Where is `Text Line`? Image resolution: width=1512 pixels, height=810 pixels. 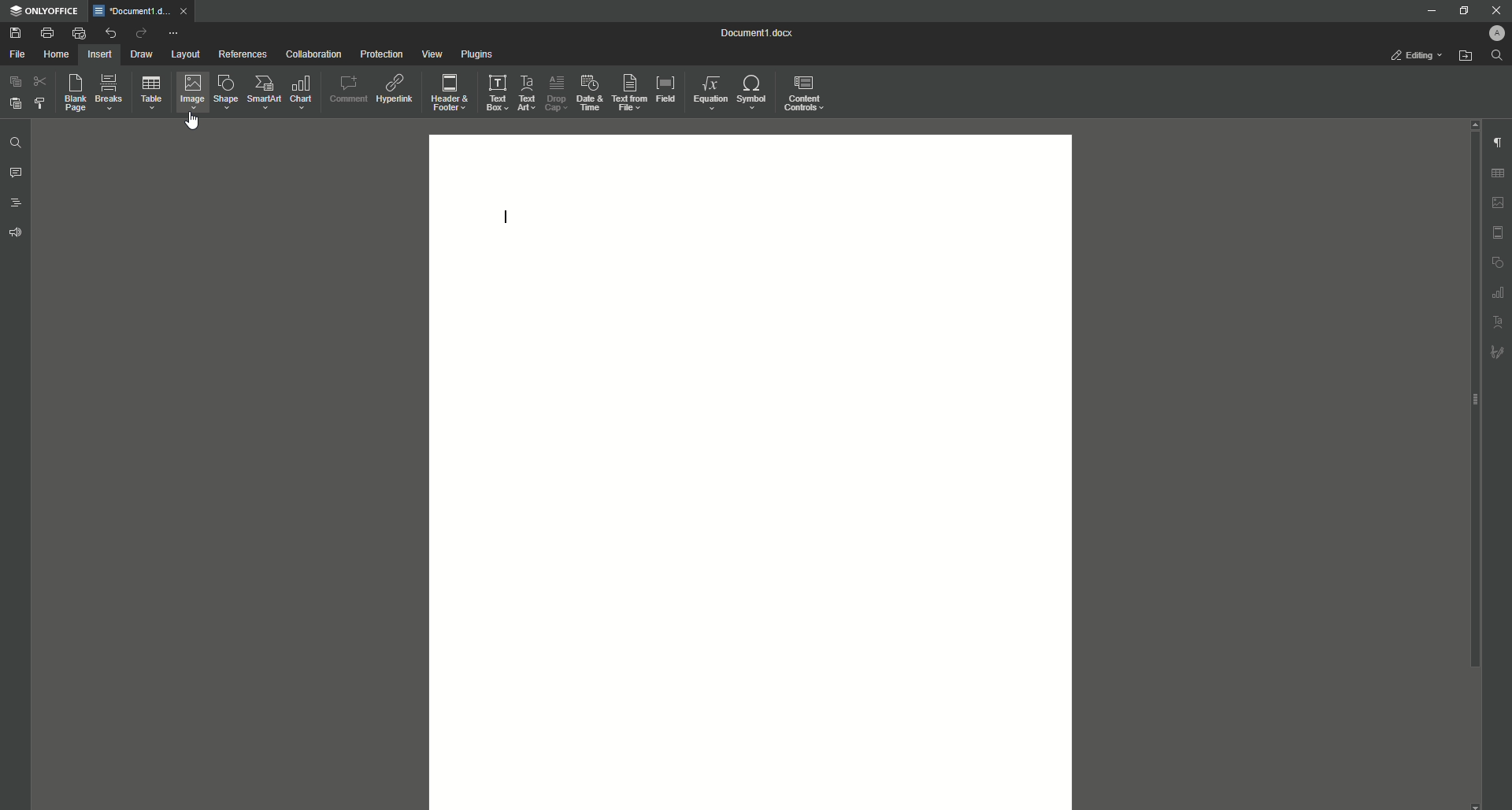
Text Line is located at coordinates (501, 217).